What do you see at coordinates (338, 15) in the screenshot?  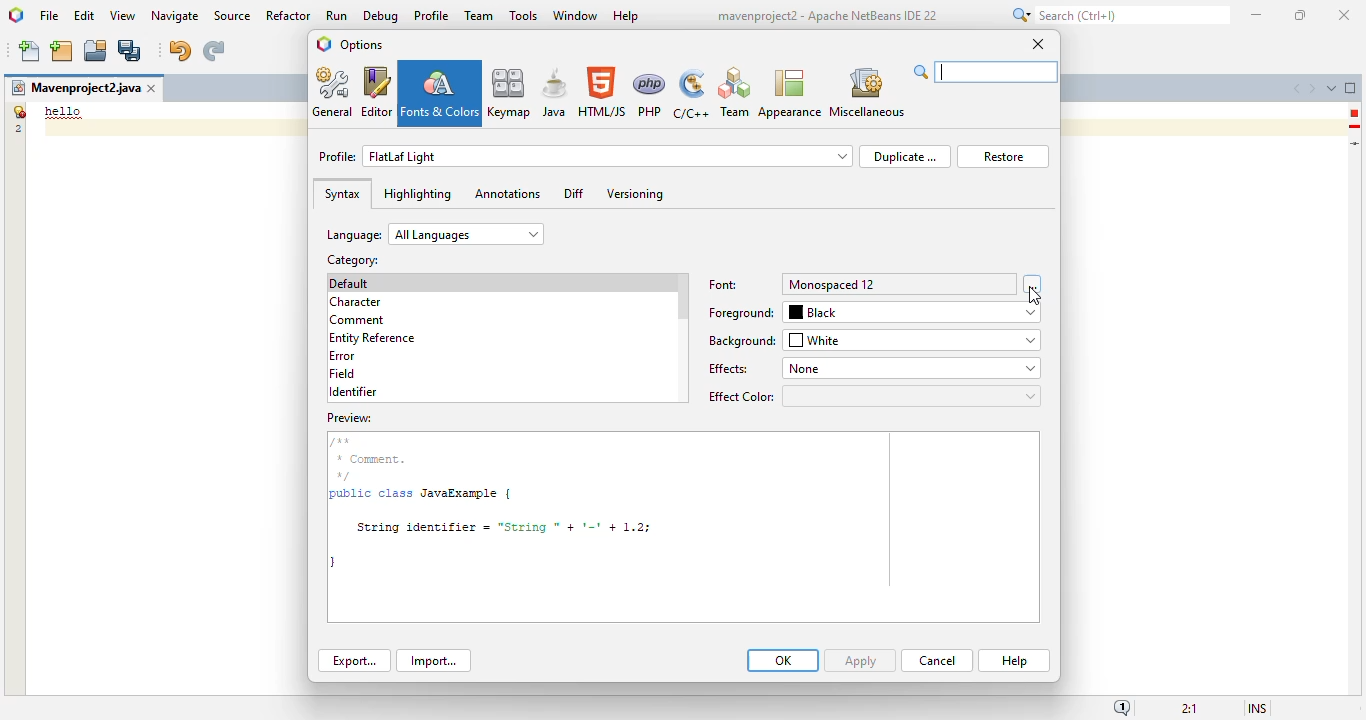 I see `run` at bounding box center [338, 15].